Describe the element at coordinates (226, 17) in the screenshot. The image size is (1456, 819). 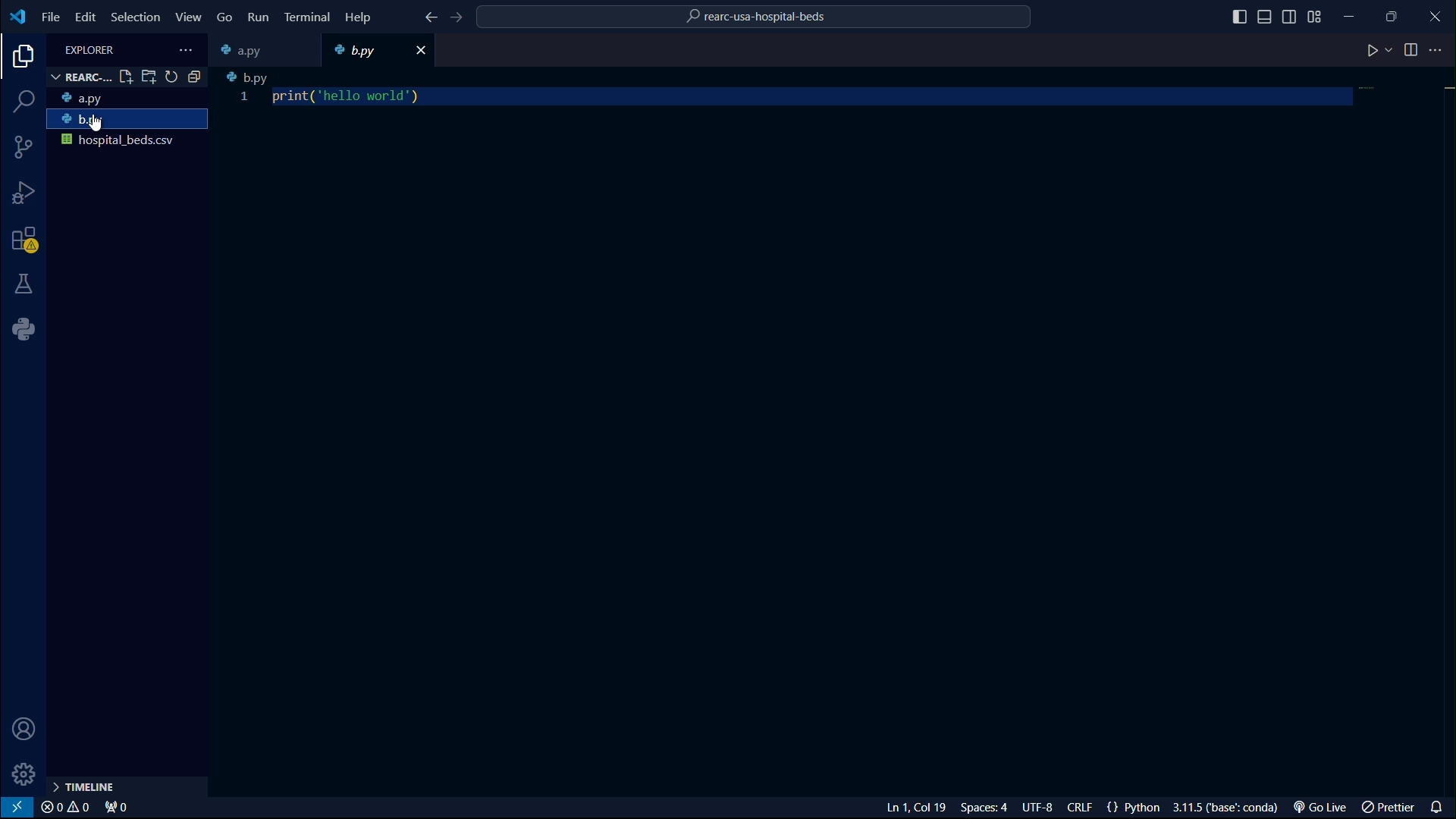
I see `go menu` at that location.